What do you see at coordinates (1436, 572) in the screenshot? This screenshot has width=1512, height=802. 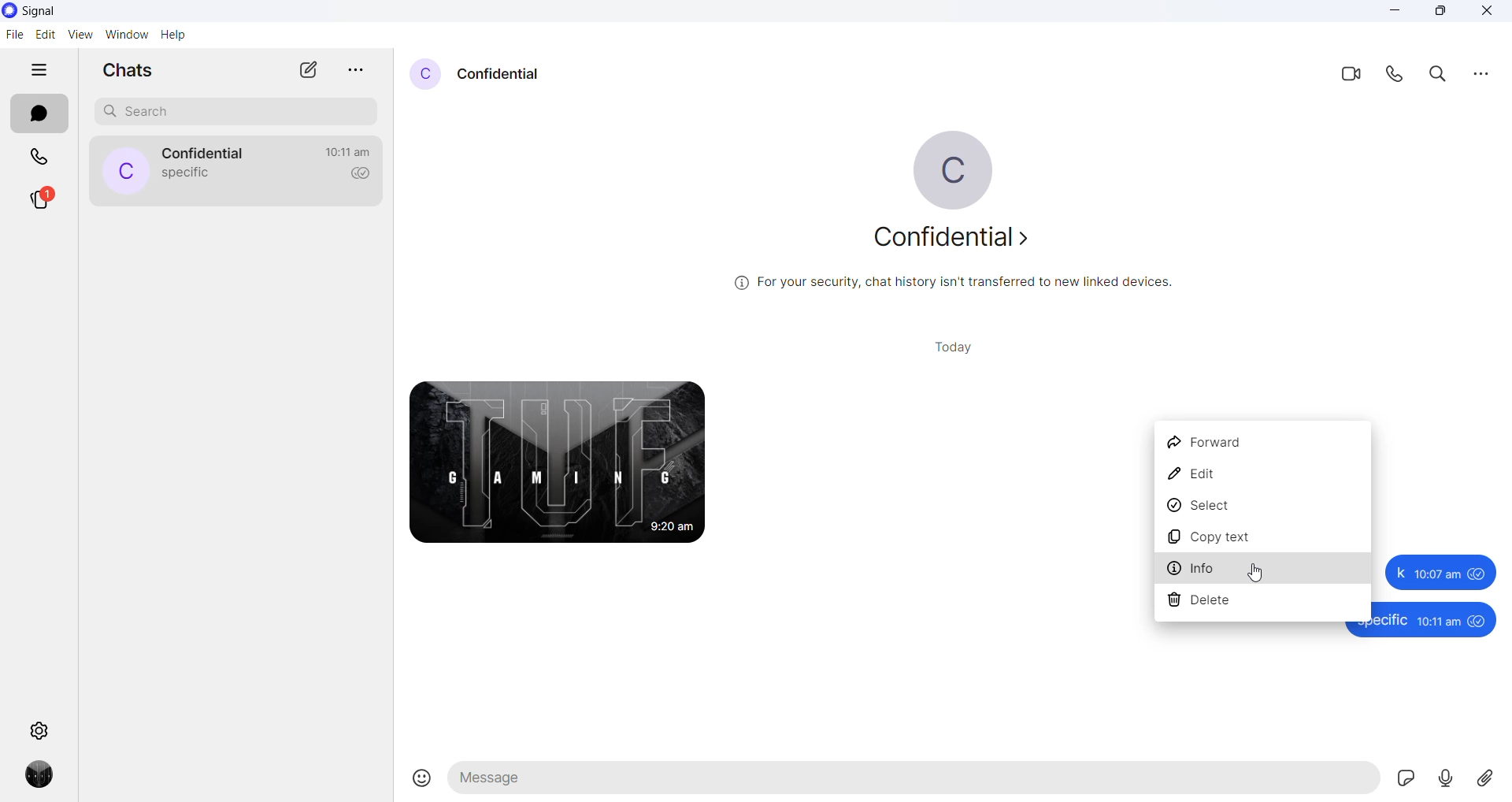 I see `10:07 am` at bounding box center [1436, 572].